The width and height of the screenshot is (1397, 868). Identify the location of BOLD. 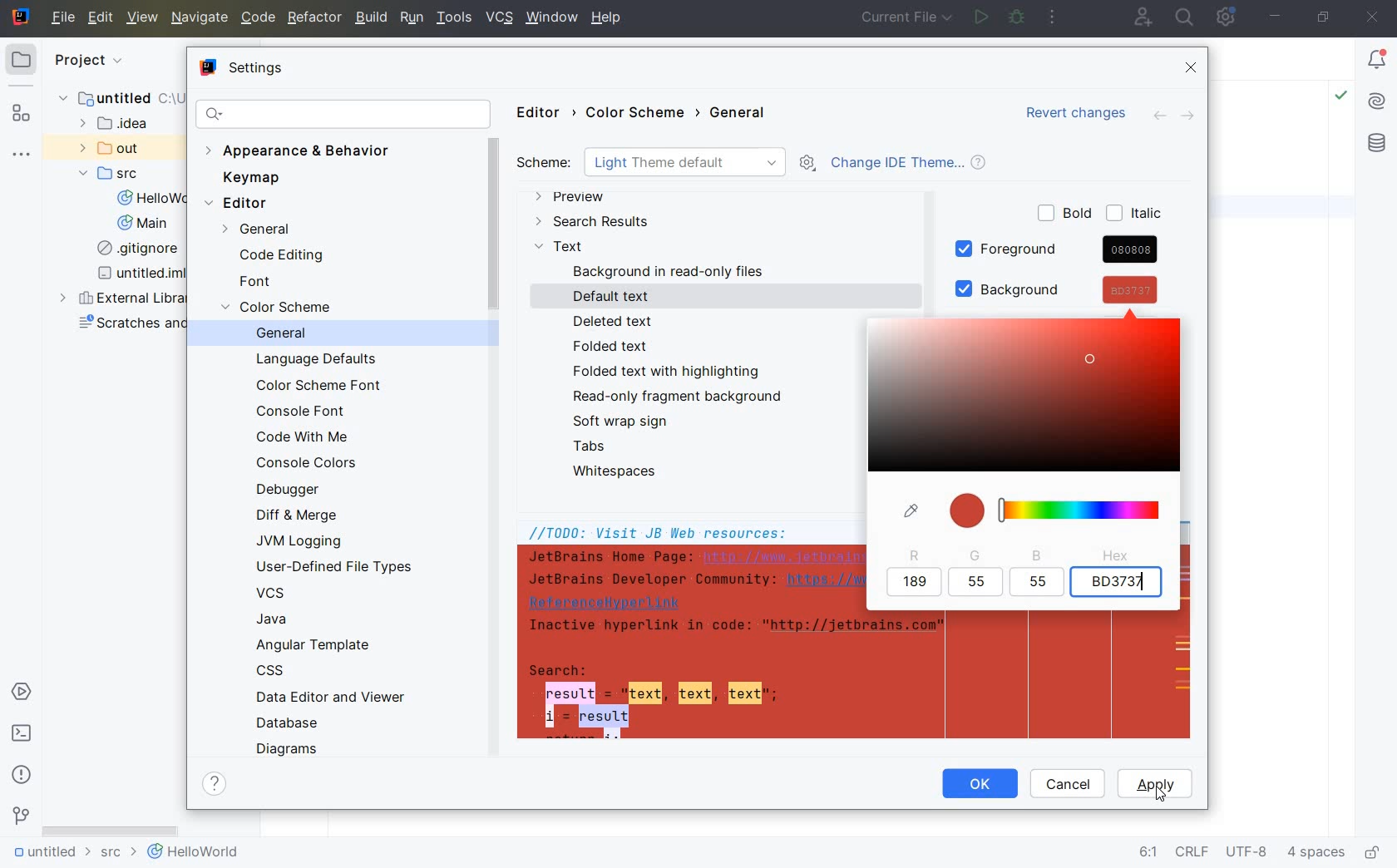
(1066, 214).